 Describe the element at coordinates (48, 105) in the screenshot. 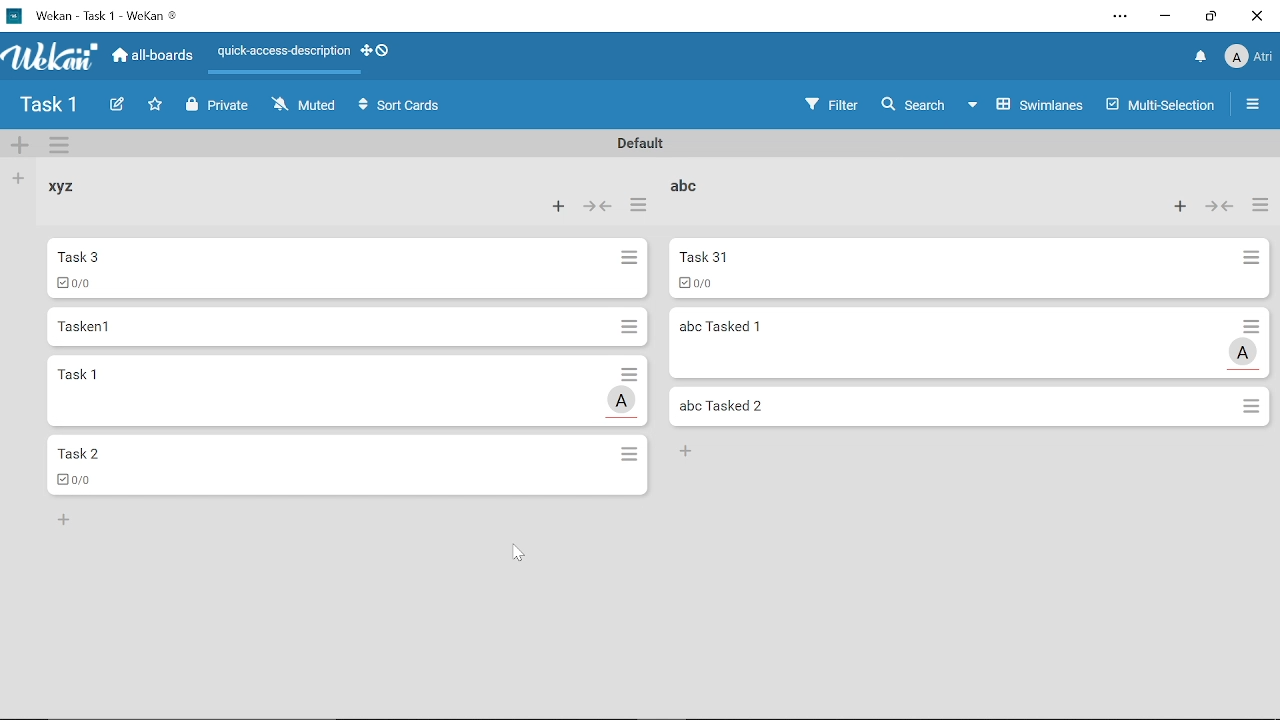

I see `Board name` at that location.